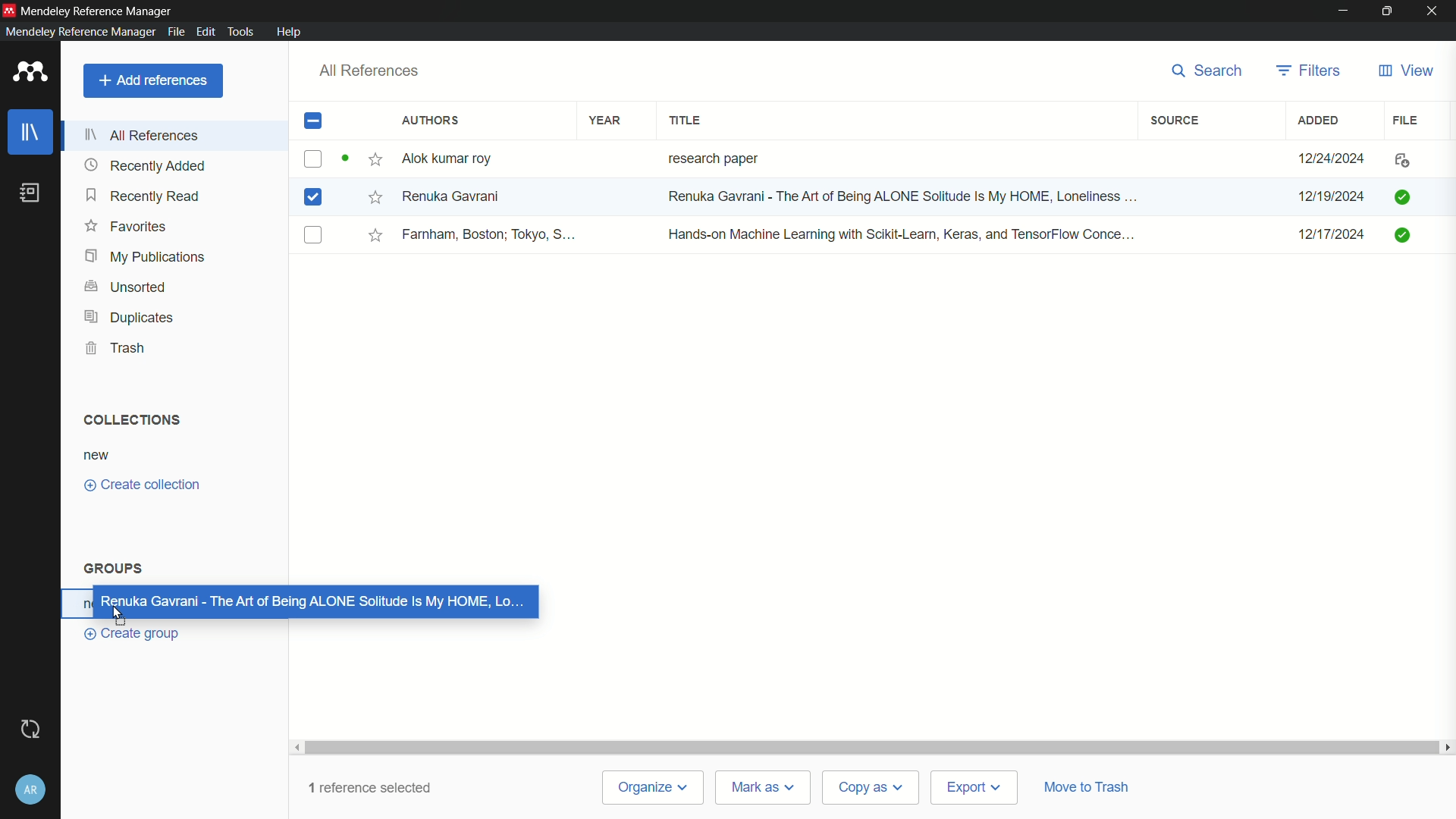  I want to click on Renuka gavrani - The Artn of..., so click(897, 198).